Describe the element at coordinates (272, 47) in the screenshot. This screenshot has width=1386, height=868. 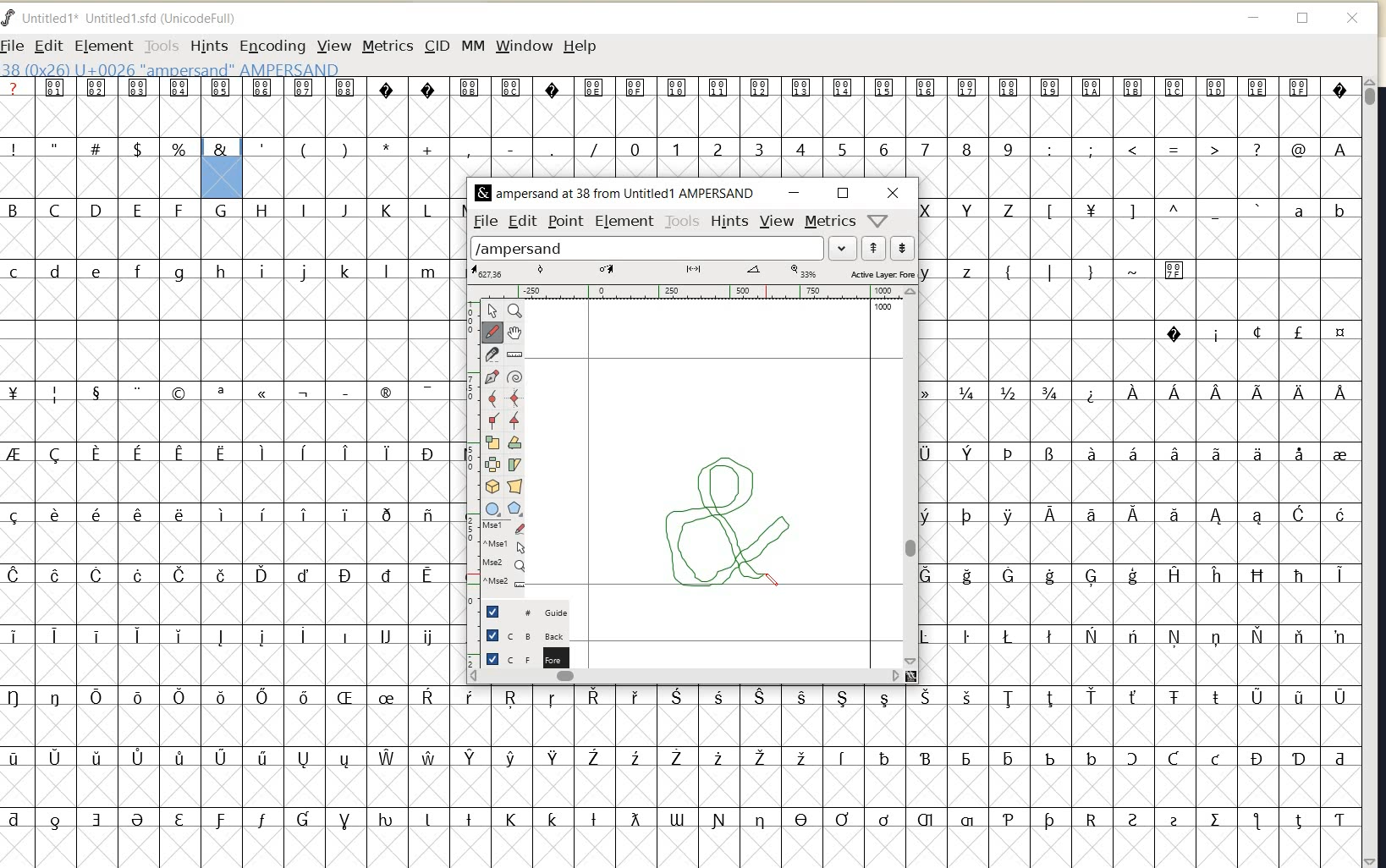
I see `ENCODING` at that location.